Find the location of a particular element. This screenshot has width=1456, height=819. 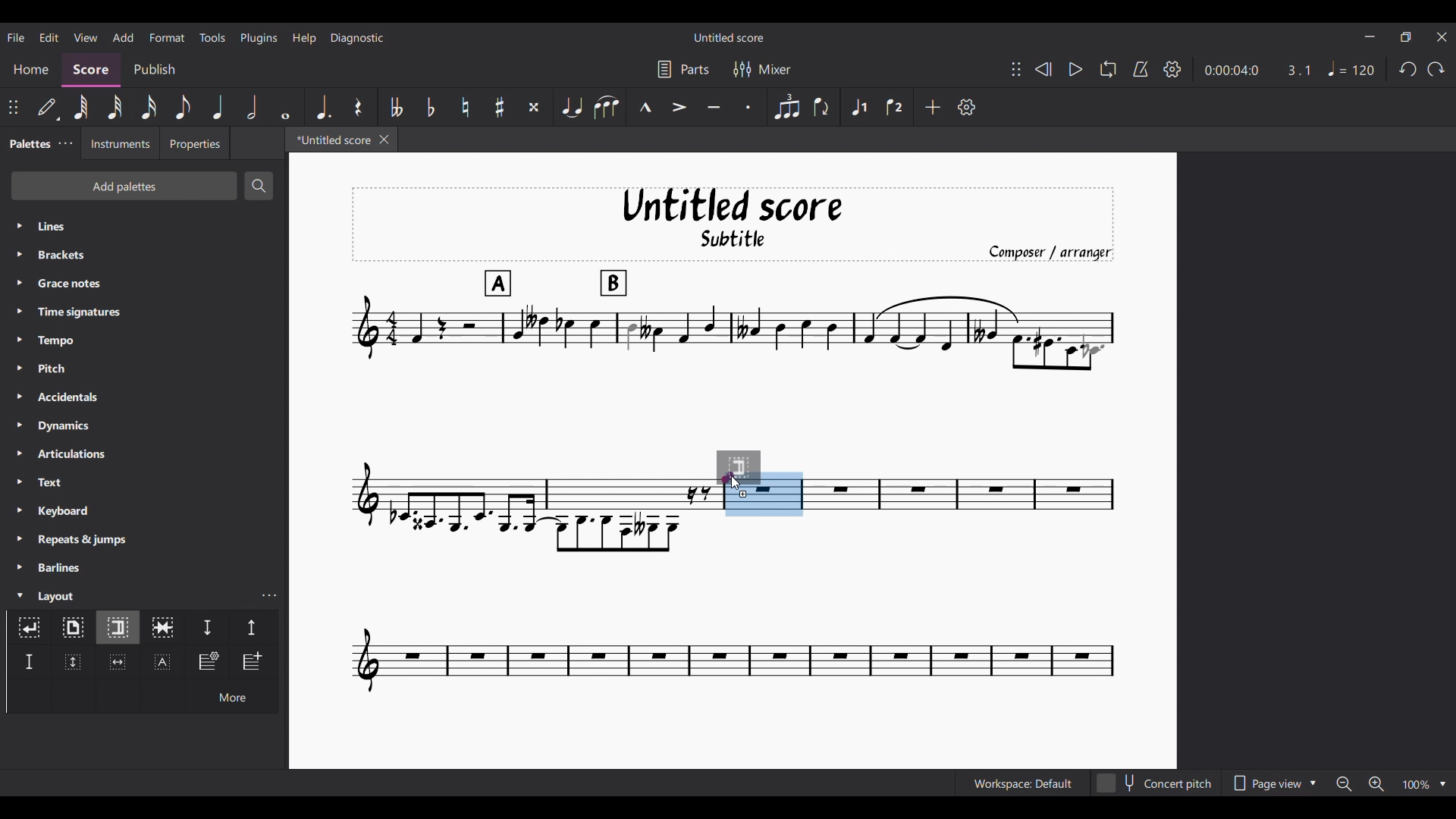

Insert vertical frame is located at coordinates (74, 662).